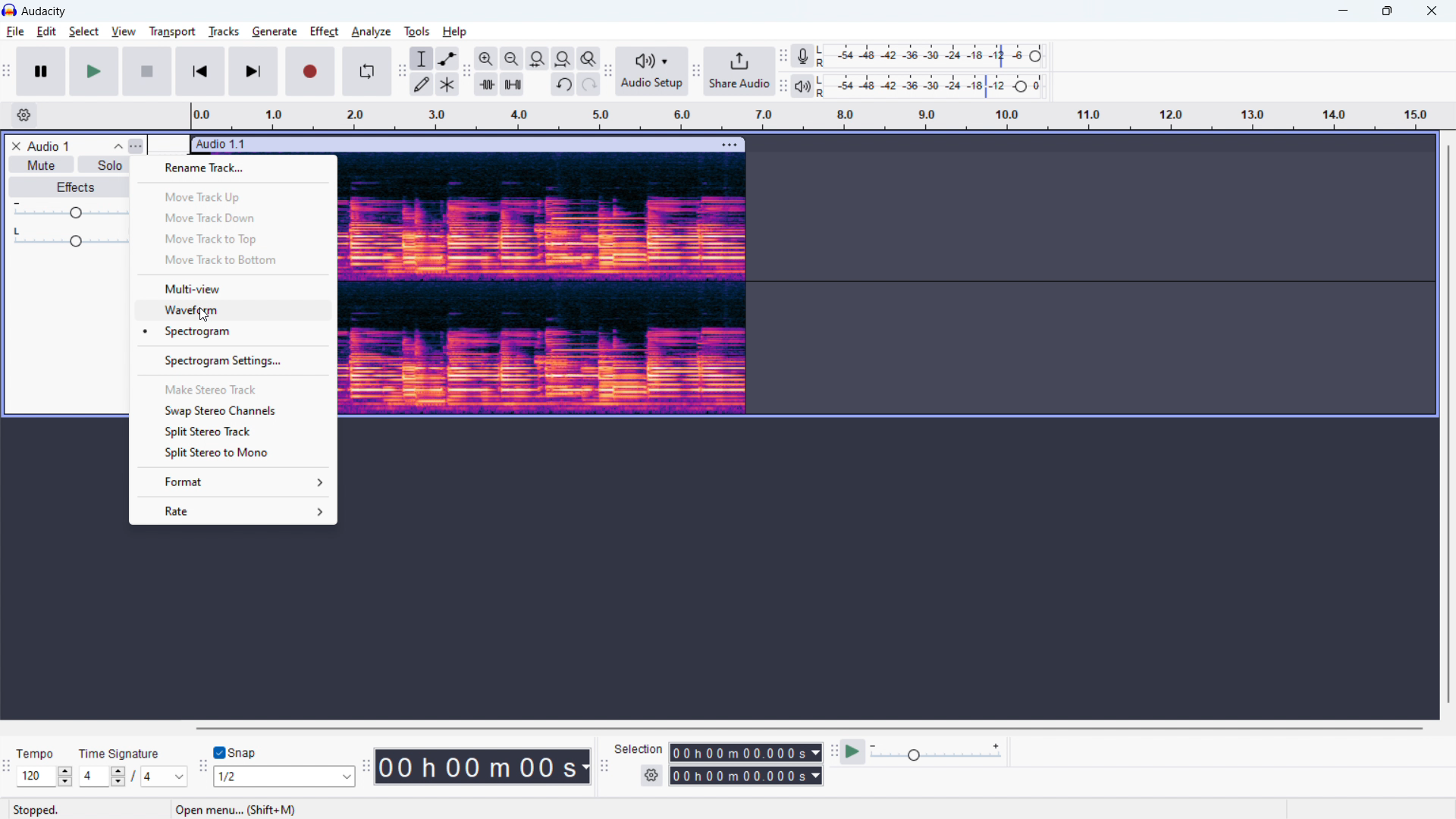 The height and width of the screenshot is (819, 1456). Describe the element at coordinates (588, 58) in the screenshot. I see `toggle zoom` at that location.